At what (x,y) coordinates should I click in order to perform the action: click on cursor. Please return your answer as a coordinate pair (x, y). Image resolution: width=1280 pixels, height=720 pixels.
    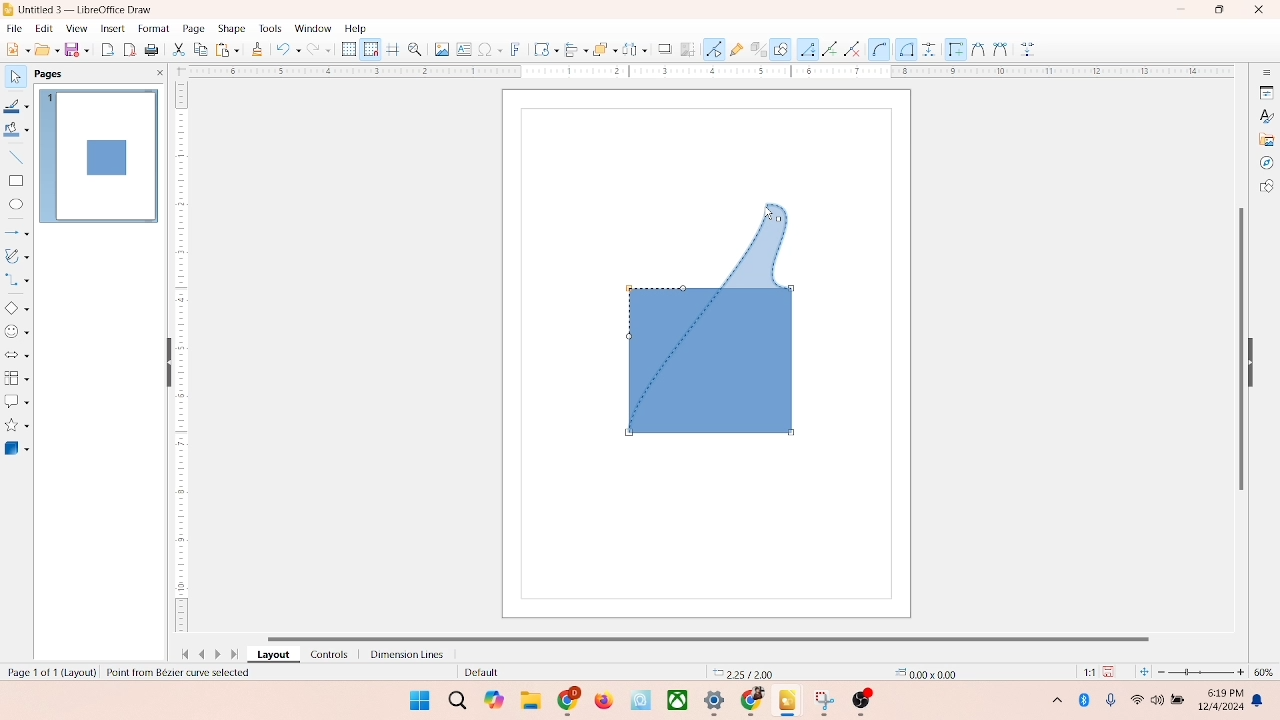
    Looking at the image, I should click on (764, 210).